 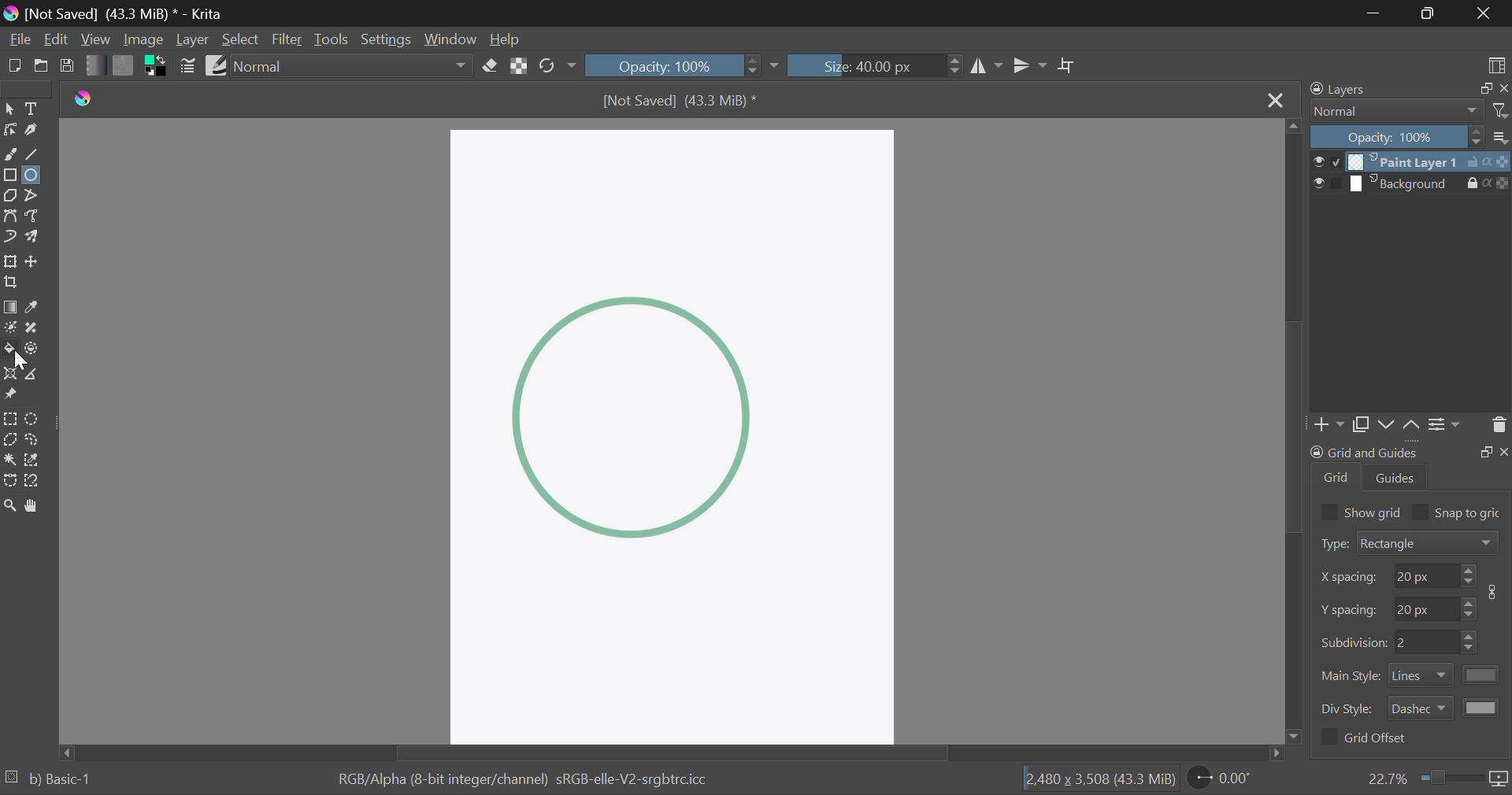 I want to click on New, so click(x=14, y=66).